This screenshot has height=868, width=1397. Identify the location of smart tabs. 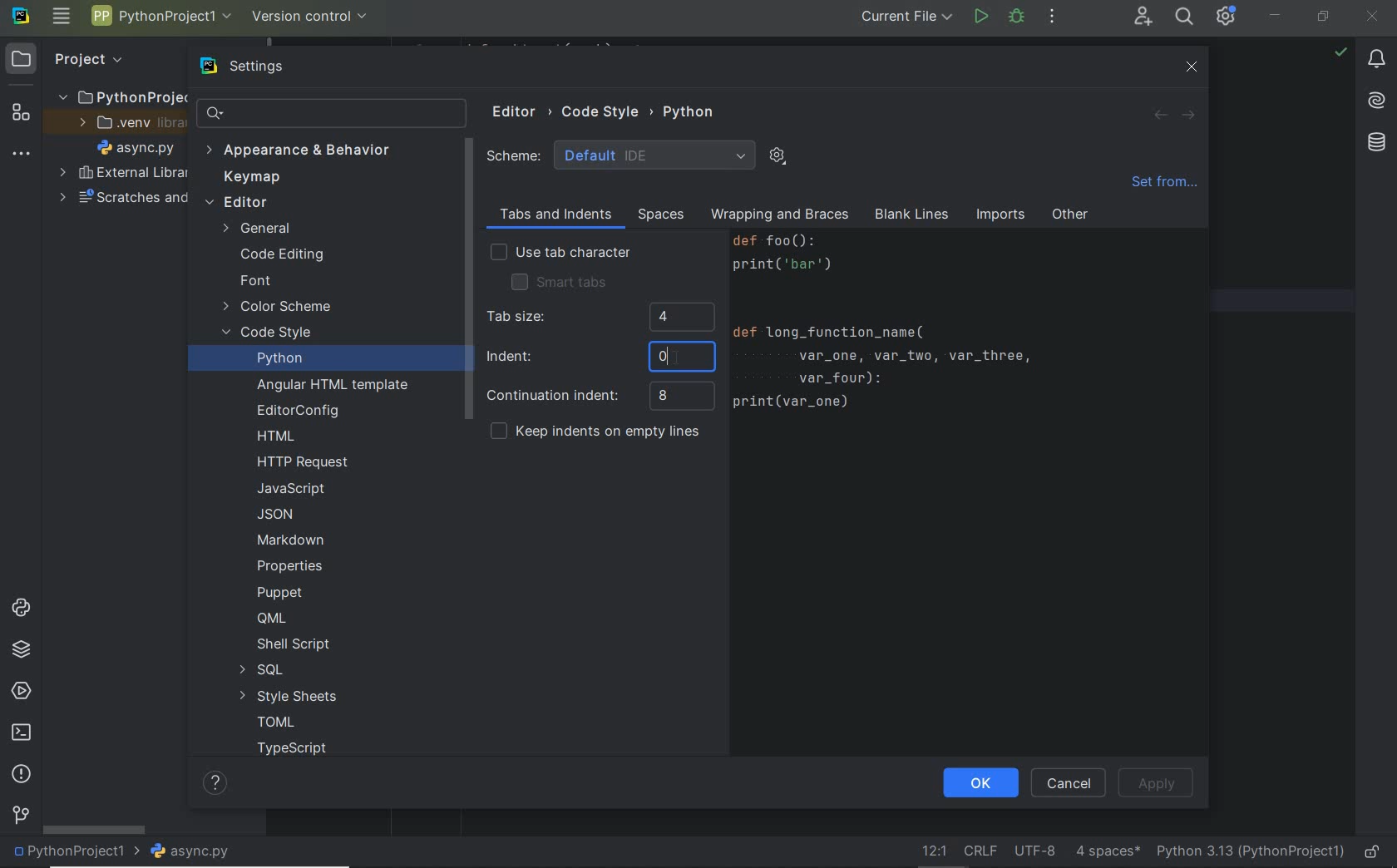
(559, 281).